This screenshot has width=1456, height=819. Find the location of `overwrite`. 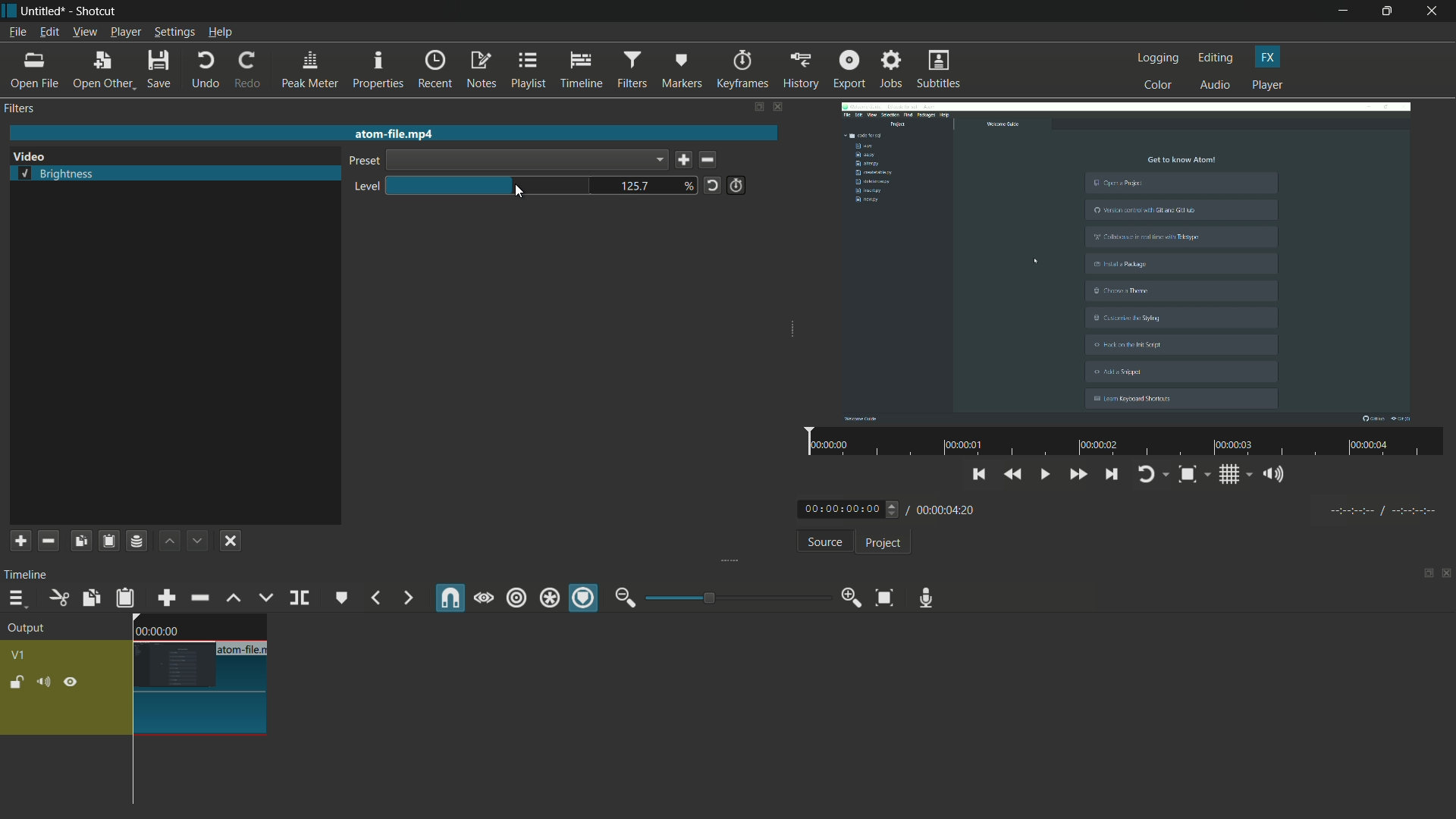

overwrite is located at coordinates (263, 598).